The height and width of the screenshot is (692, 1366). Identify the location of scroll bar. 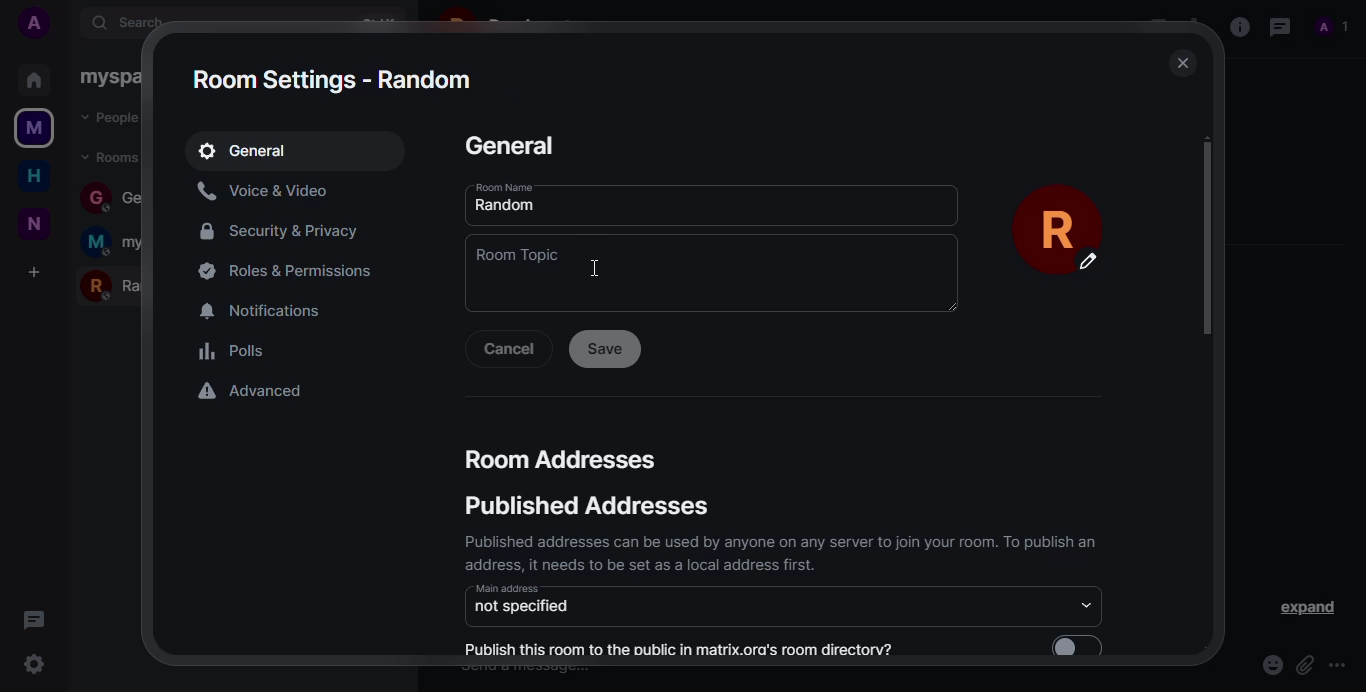
(1207, 232).